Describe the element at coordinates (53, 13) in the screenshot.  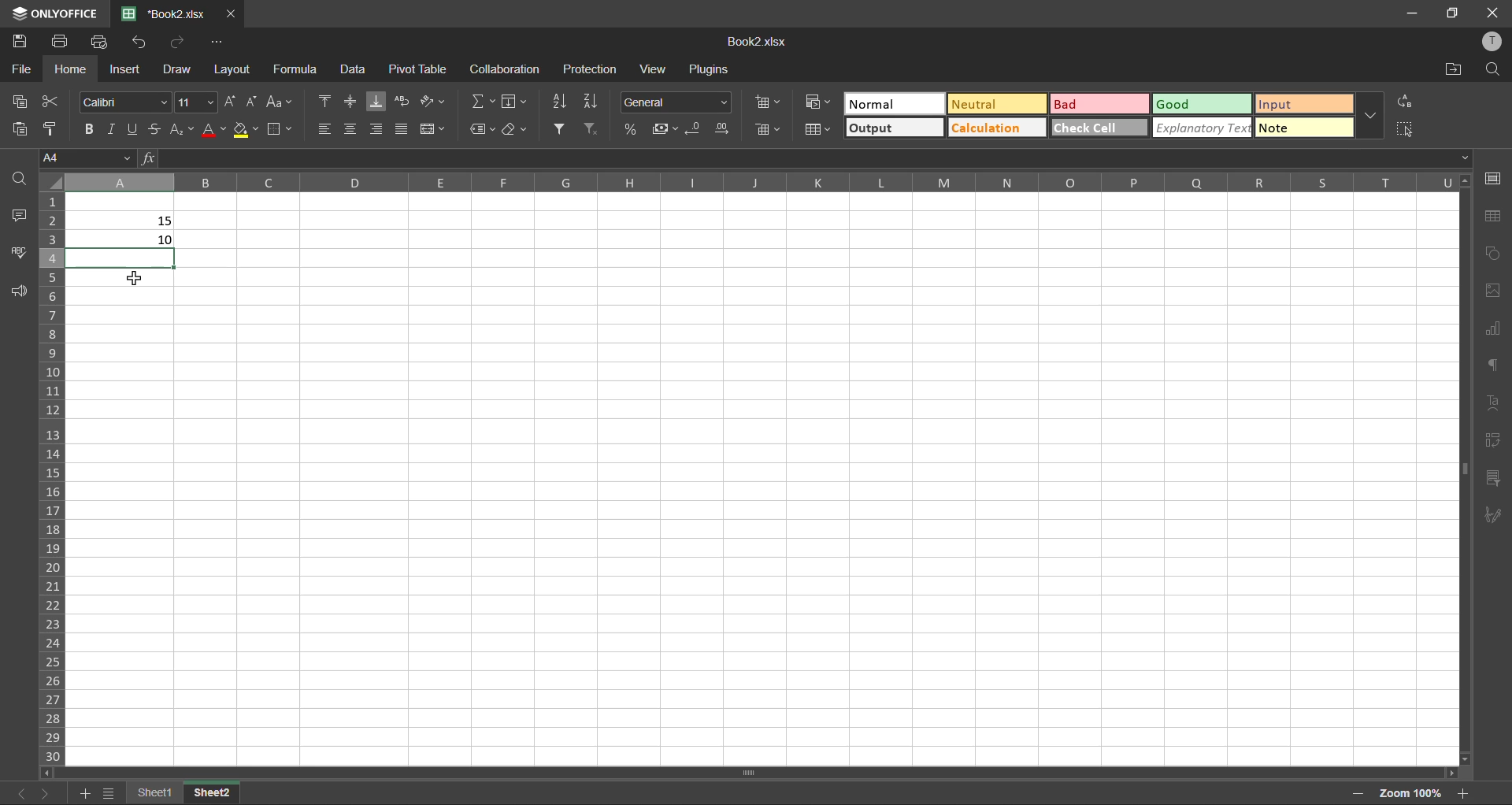
I see `only office` at that location.